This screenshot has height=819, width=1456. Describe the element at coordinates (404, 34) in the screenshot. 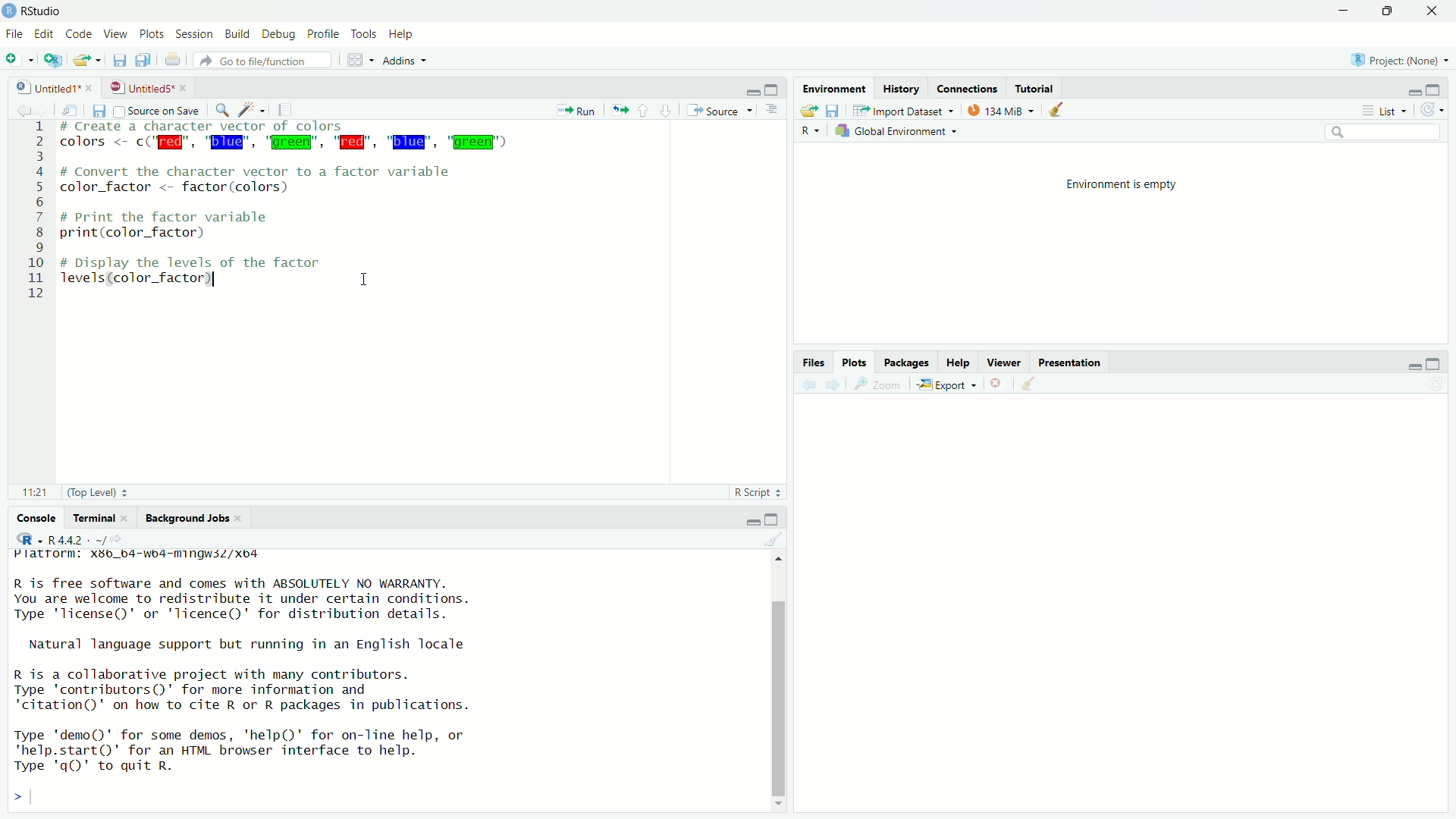

I see `help` at that location.